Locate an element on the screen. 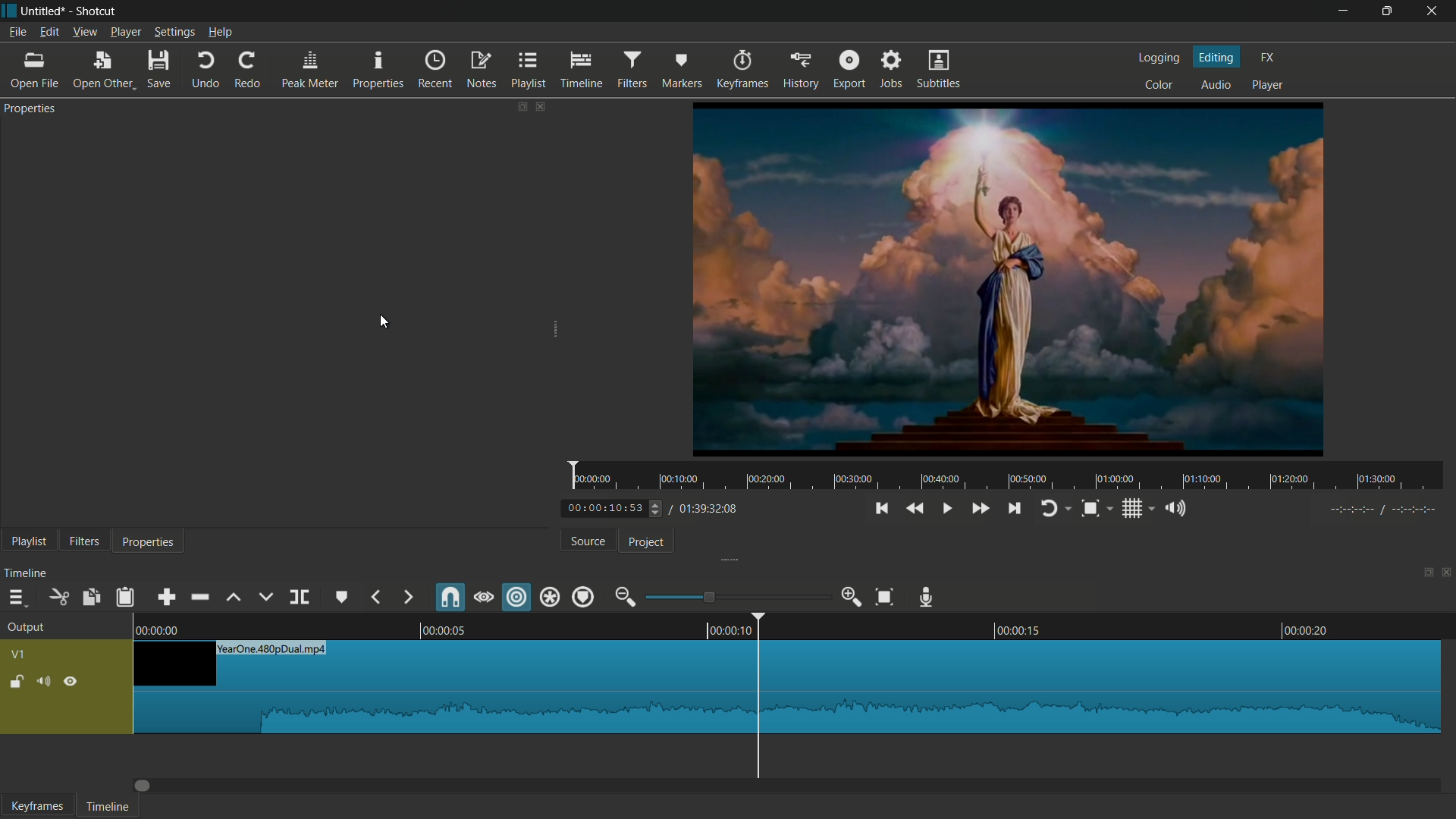  close timeline is located at coordinates (1447, 573).